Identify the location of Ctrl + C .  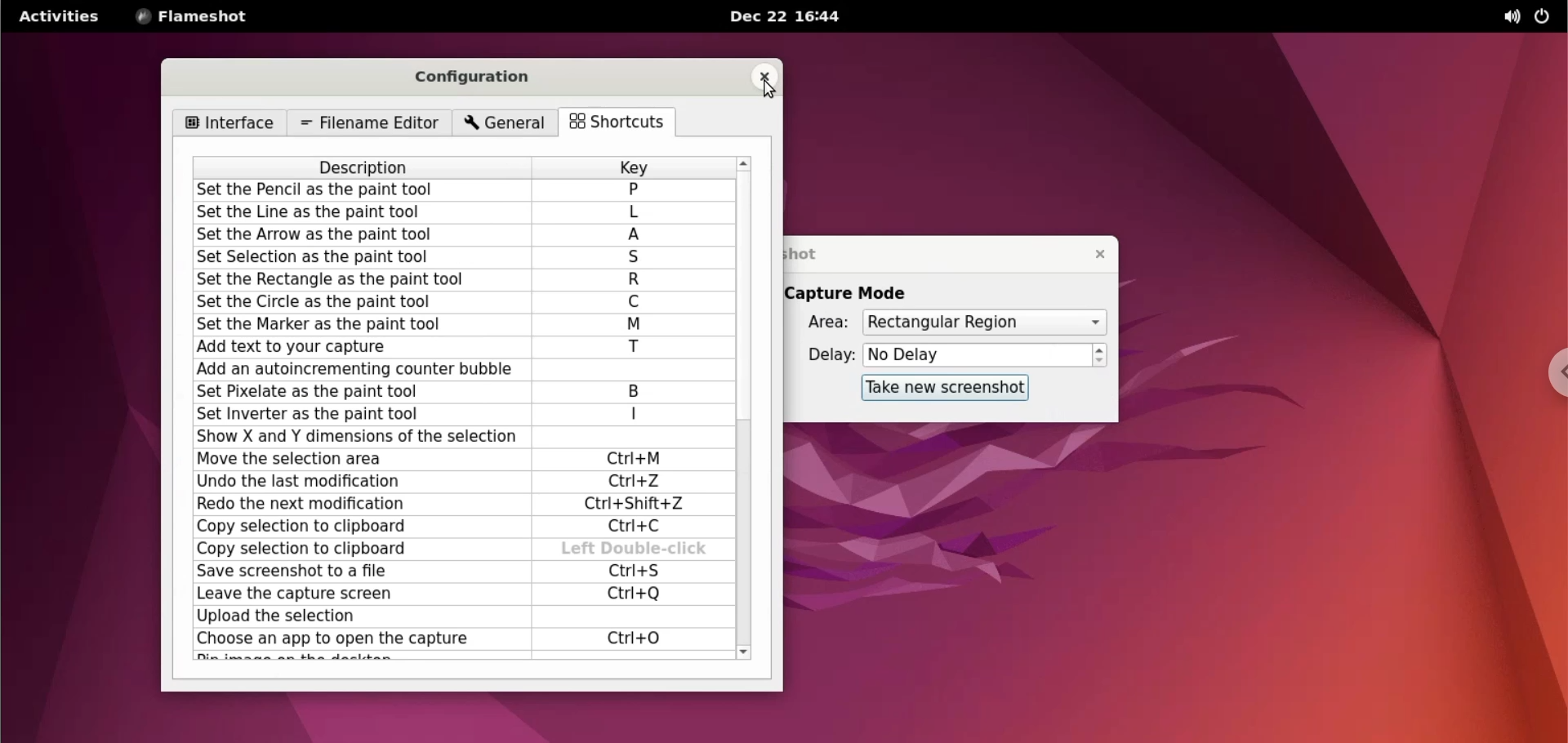
(639, 527).